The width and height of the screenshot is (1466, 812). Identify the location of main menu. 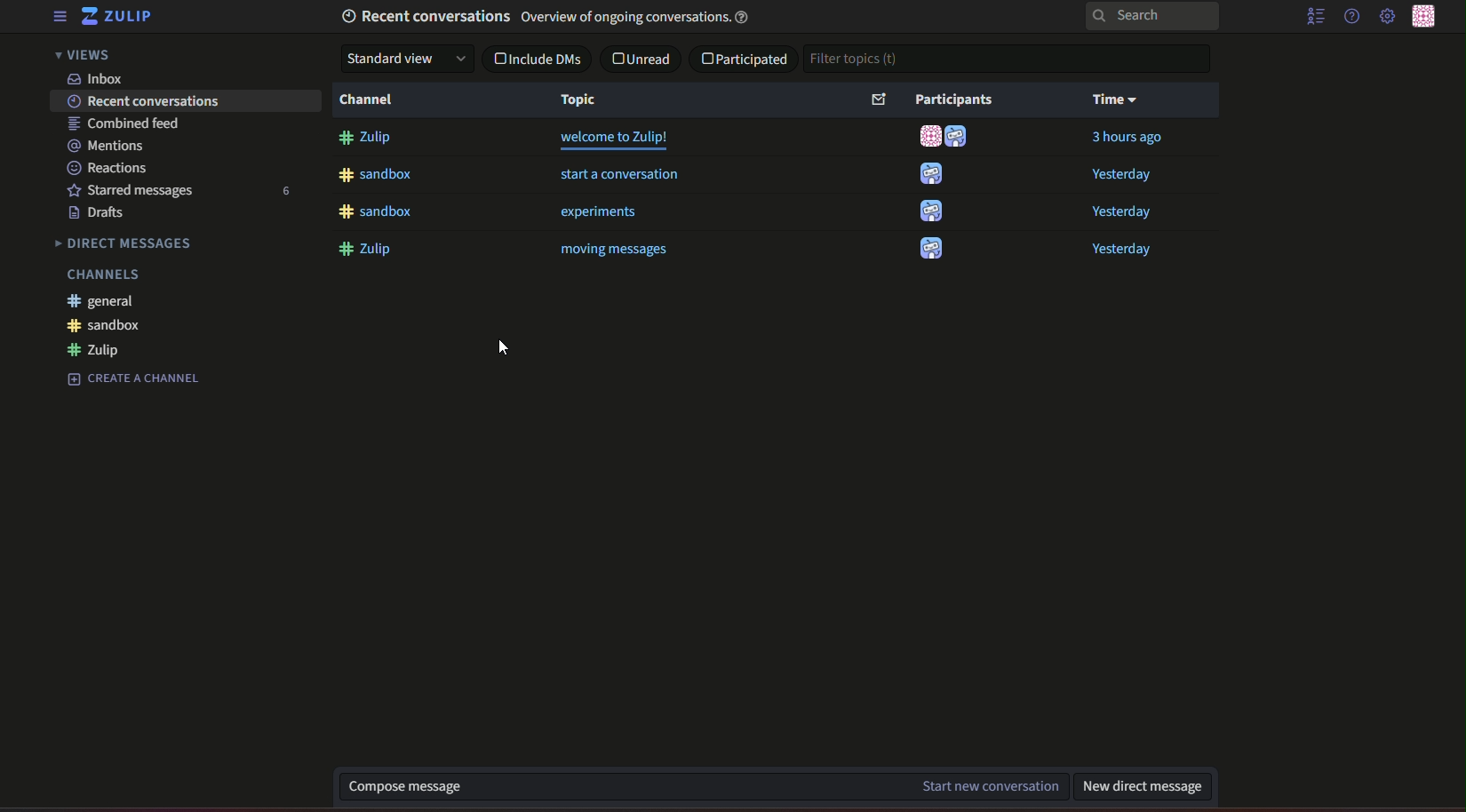
(1387, 18).